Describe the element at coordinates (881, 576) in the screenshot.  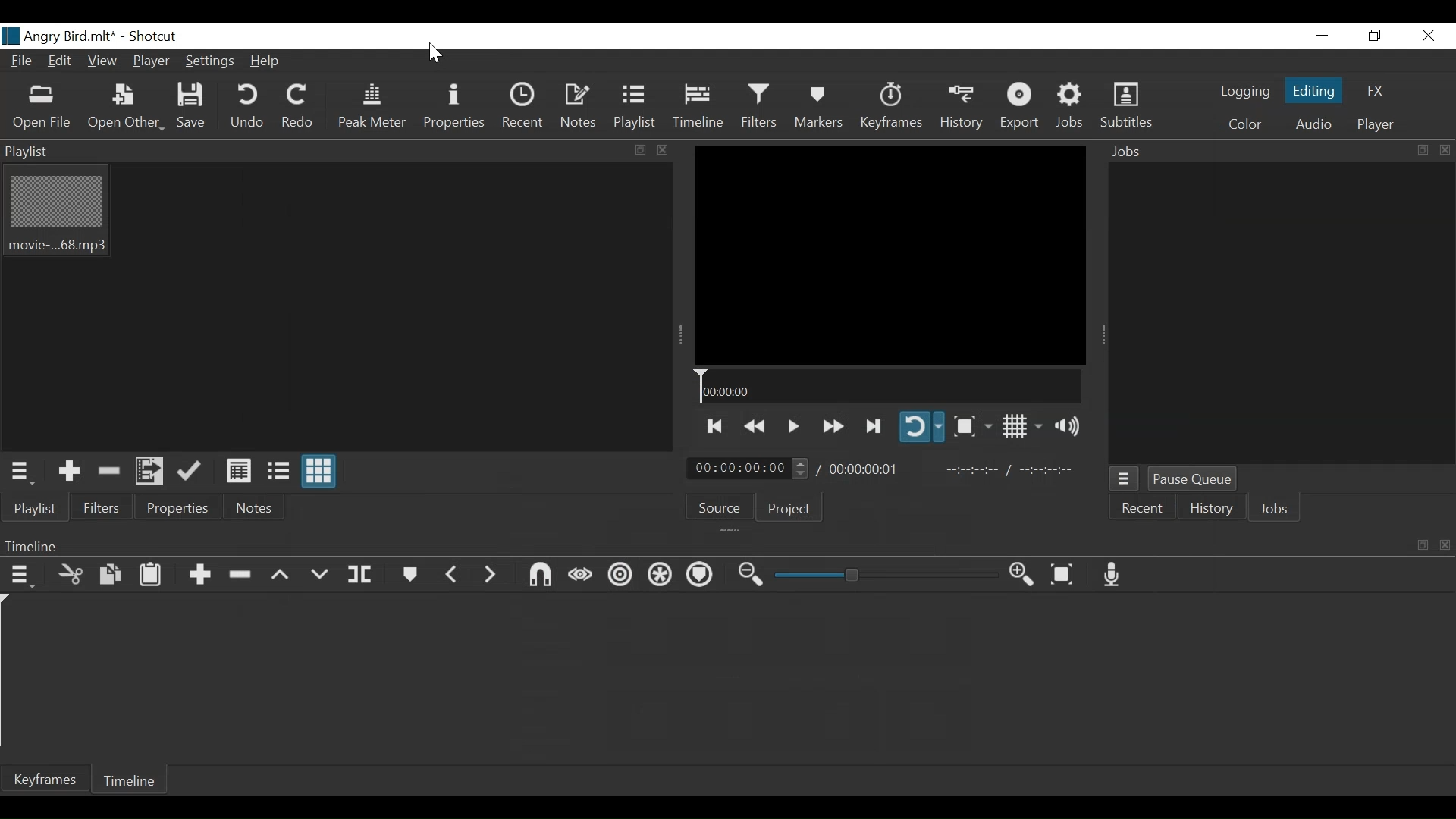
I see `Zoom slider` at that location.